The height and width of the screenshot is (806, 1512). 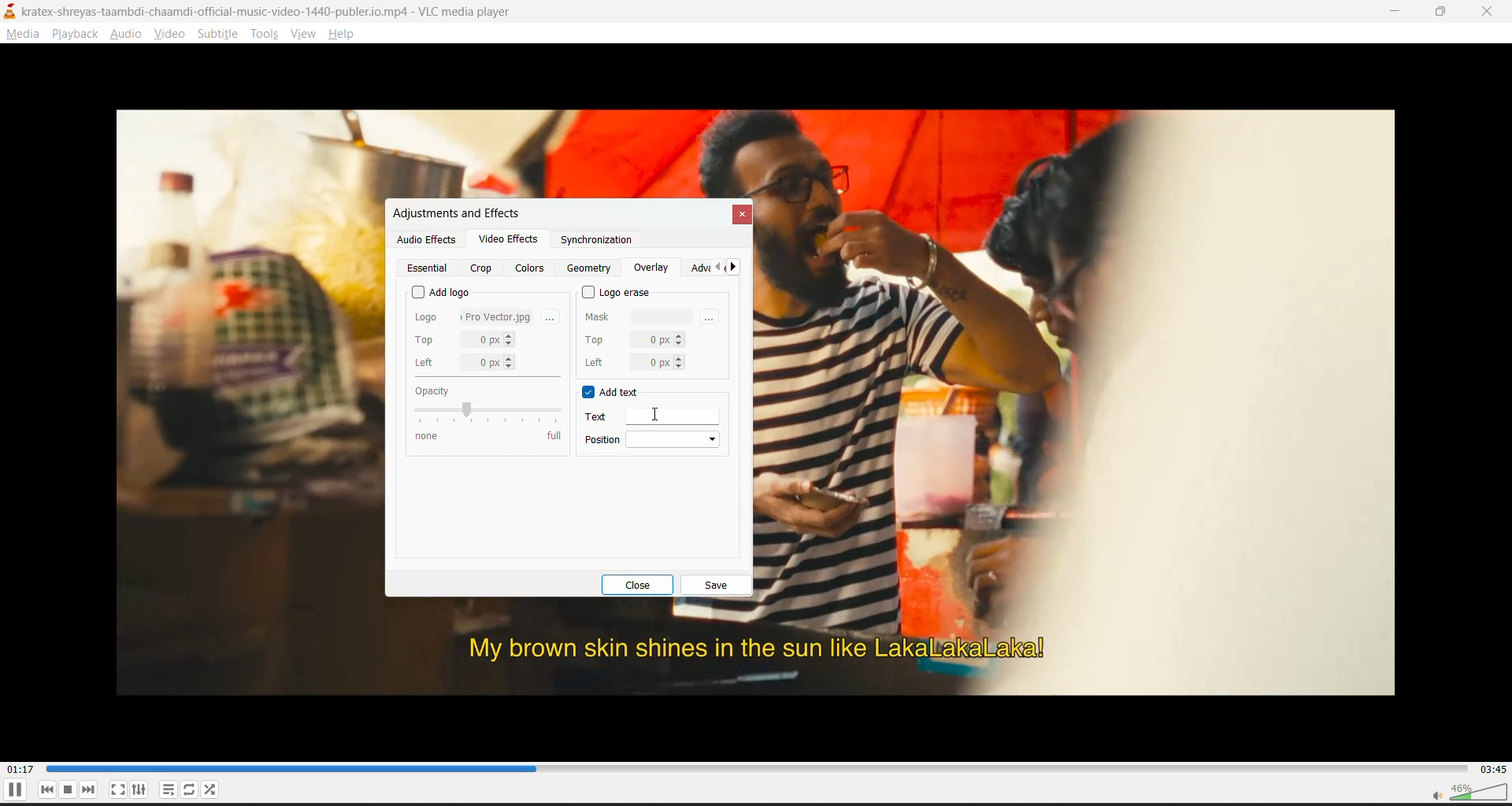 What do you see at coordinates (633, 362) in the screenshot?
I see `left` at bounding box center [633, 362].